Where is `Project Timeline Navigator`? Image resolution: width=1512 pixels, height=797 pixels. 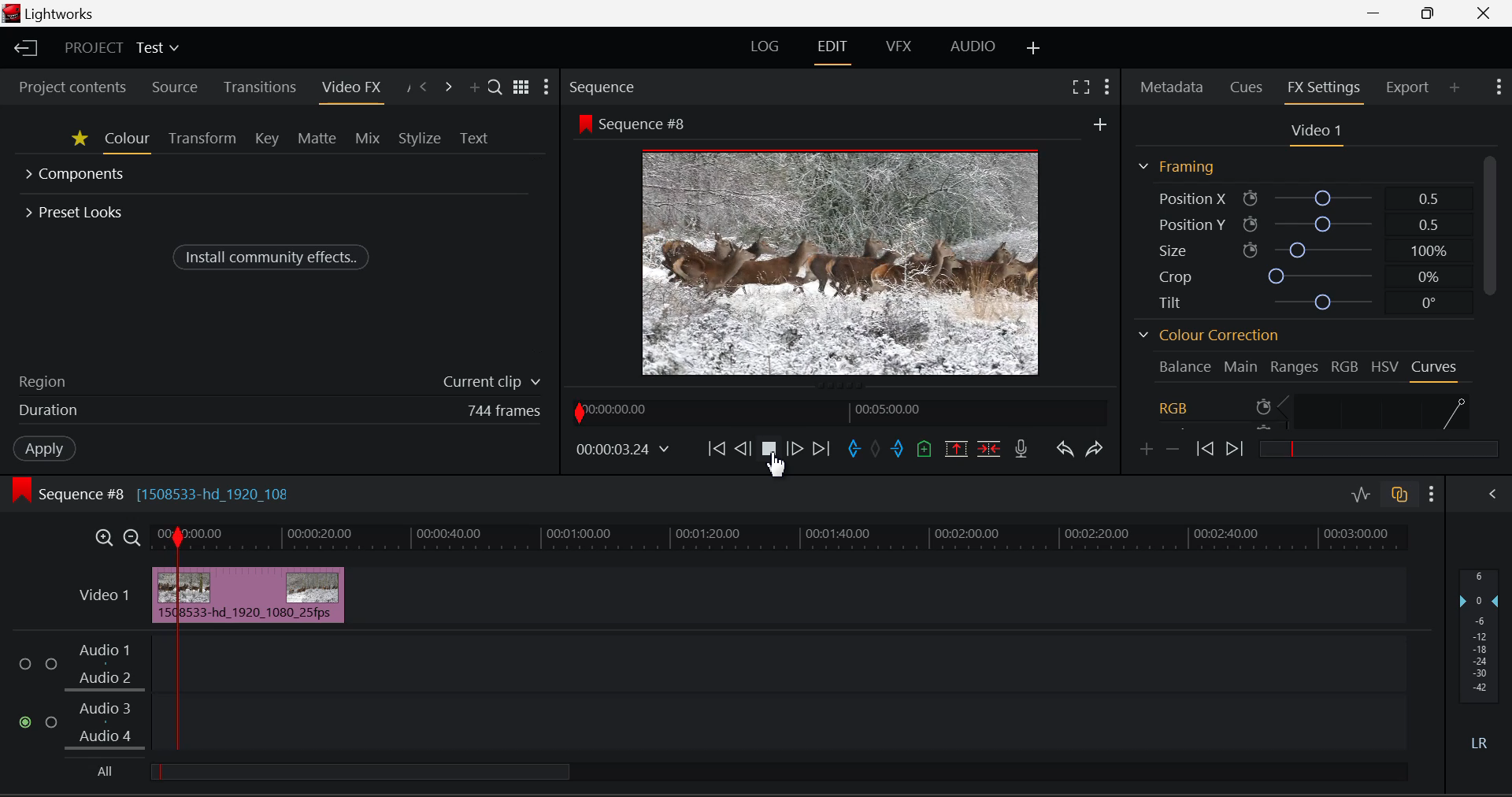
Project Timeline Navigator is located at coordinates (840, 411).